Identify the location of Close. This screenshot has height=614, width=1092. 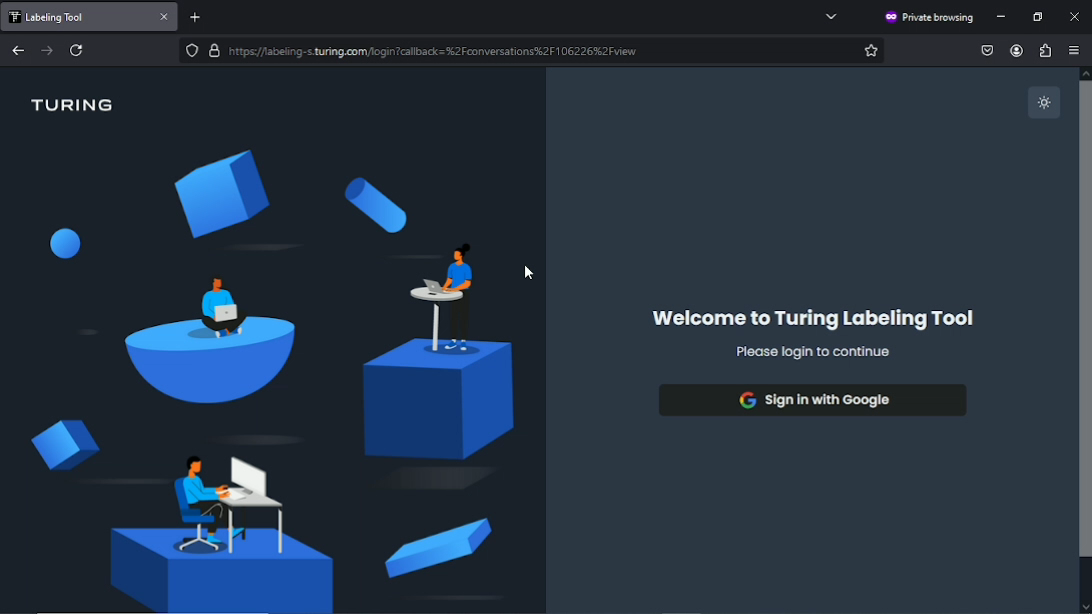
(1075, 15).